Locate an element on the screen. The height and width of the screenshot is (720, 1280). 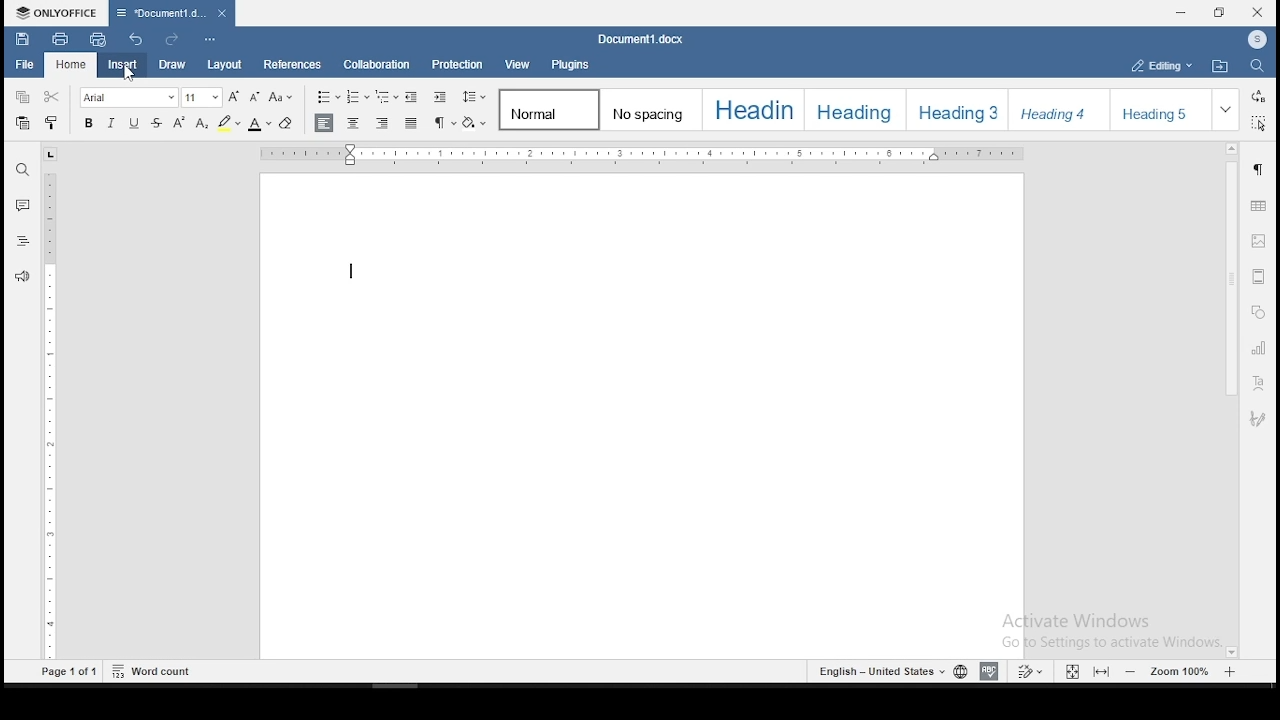
paste is located at coordinates (23, 126).